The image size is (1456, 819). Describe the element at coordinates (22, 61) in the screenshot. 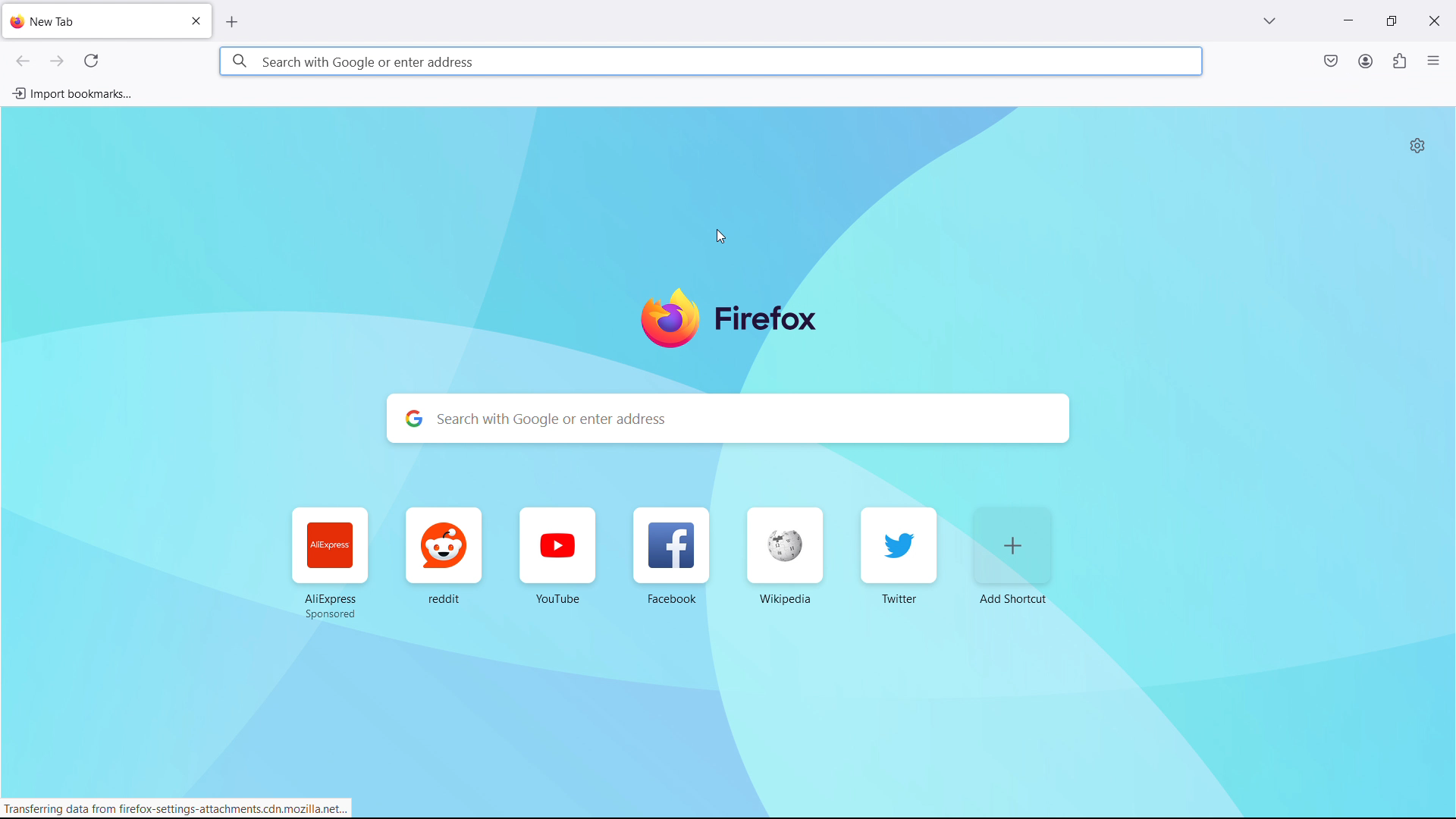

I see `go back one page, right click or pull down to show history` at that location.